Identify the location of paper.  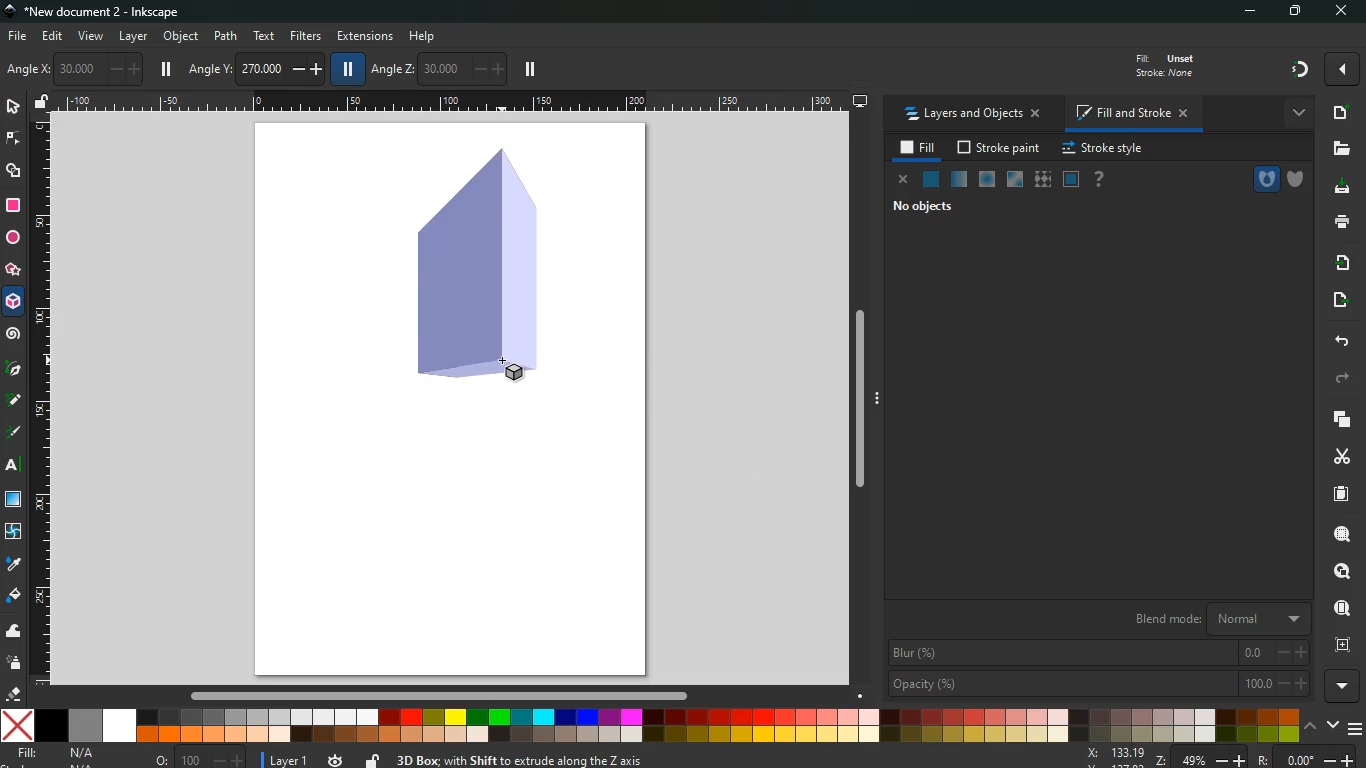
(1339, 494).